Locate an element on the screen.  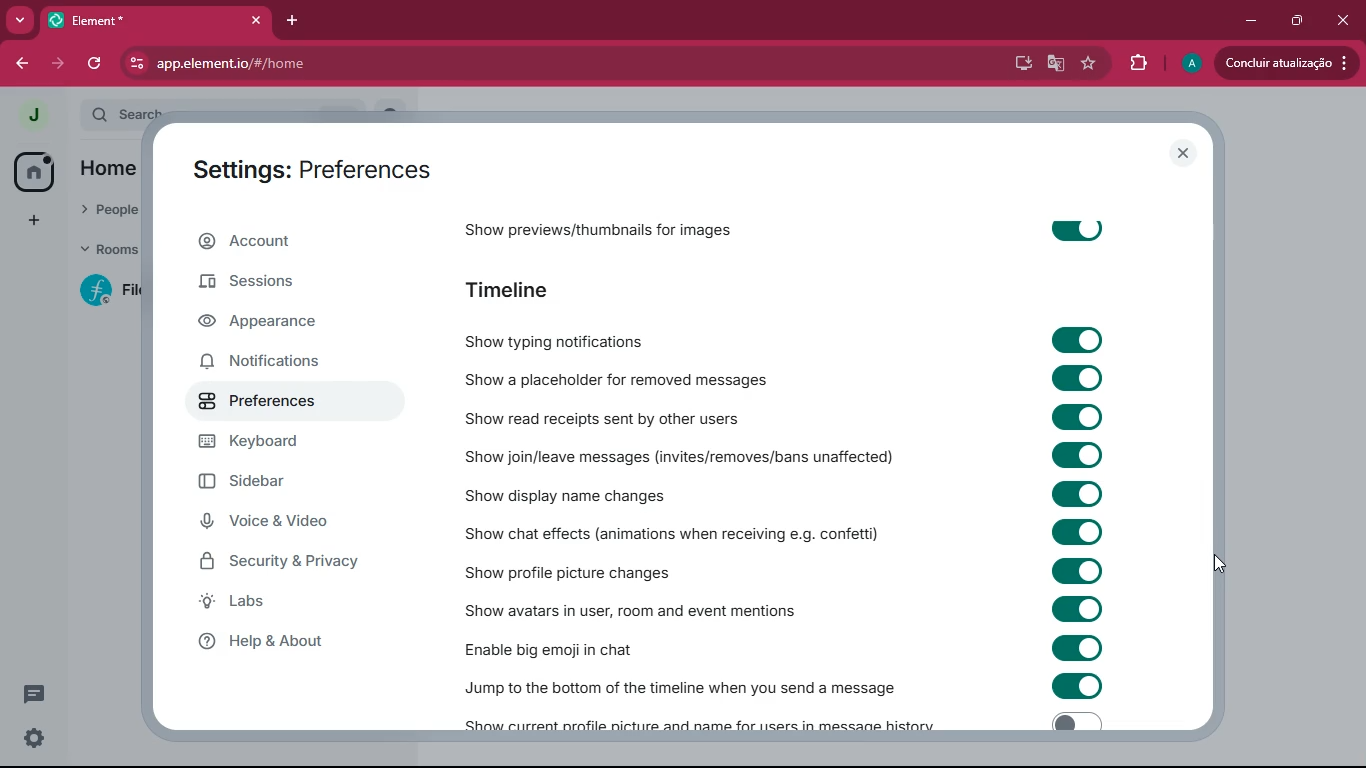
show display name changes is located at coordinates (571, 495).